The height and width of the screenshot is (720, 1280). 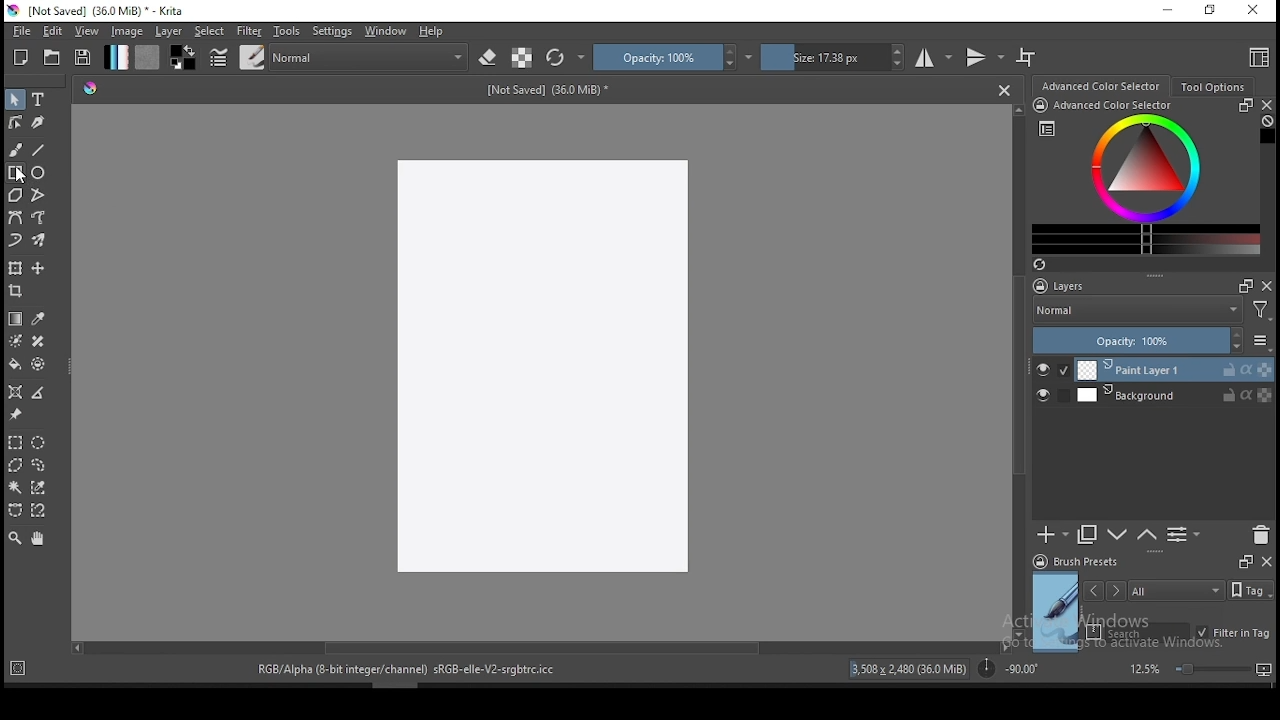 What do you see at coordinates (1053, 534) in the screenshot?
I see `new layer` at bounding box center [1053, 534].